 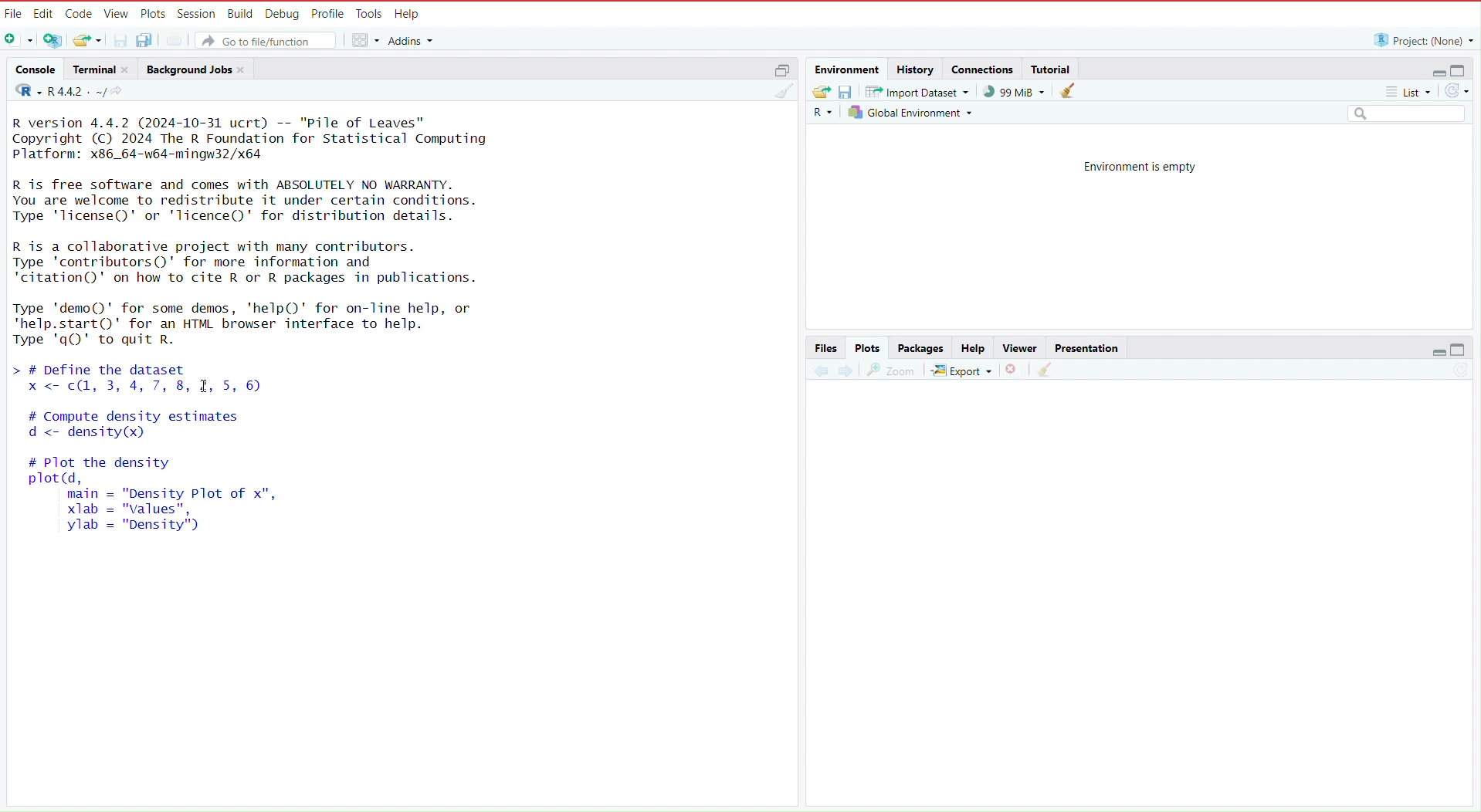 What do you see at coordinates (1432, 354) in the screenshot?
I see `minimize` at bounding box center [1432, 354].